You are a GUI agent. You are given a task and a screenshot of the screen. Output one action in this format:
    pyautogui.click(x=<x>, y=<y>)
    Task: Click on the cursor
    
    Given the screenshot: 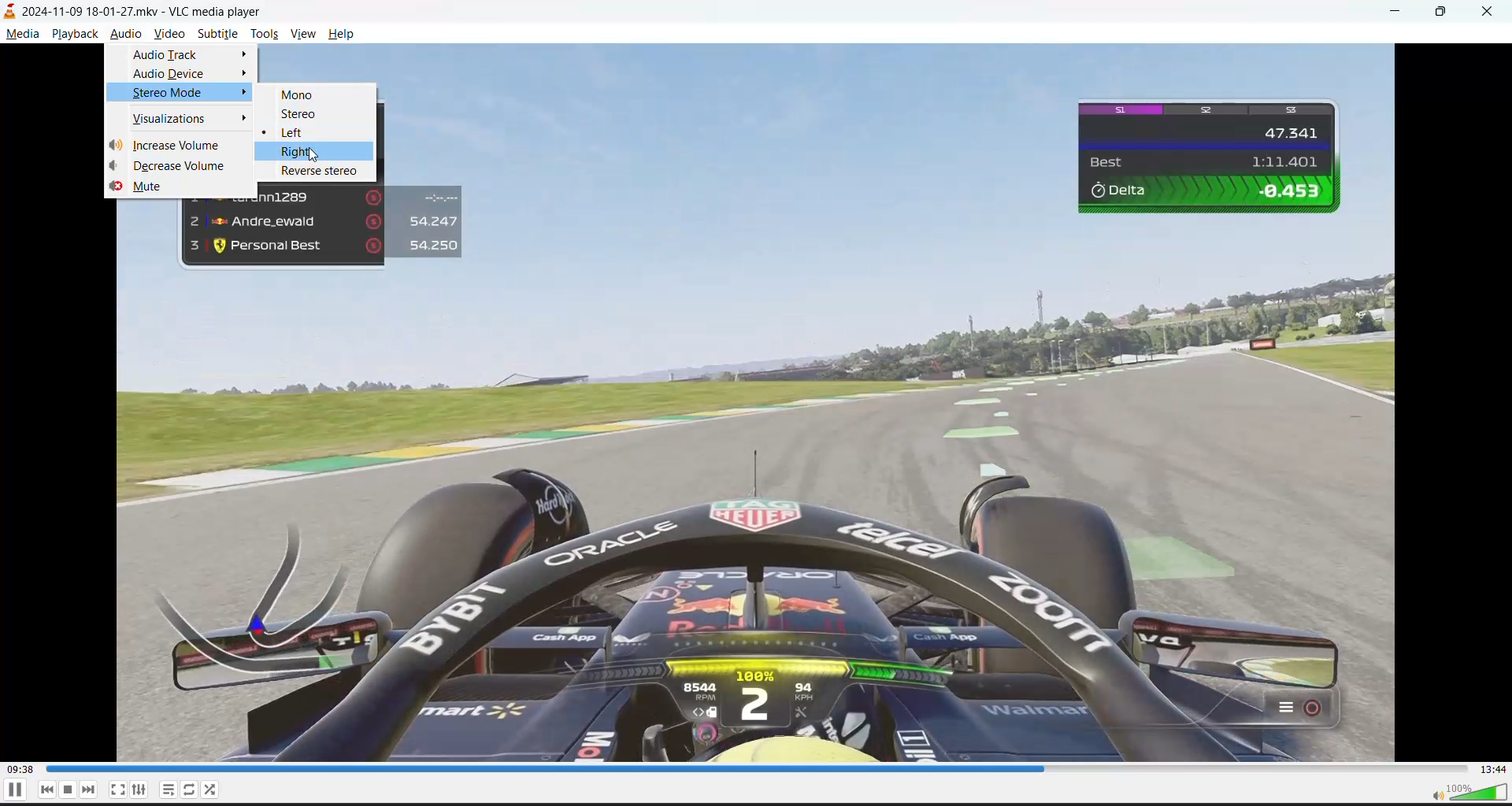 What is the action you would take?
    pyautogui.click(x=317, y=156)
    